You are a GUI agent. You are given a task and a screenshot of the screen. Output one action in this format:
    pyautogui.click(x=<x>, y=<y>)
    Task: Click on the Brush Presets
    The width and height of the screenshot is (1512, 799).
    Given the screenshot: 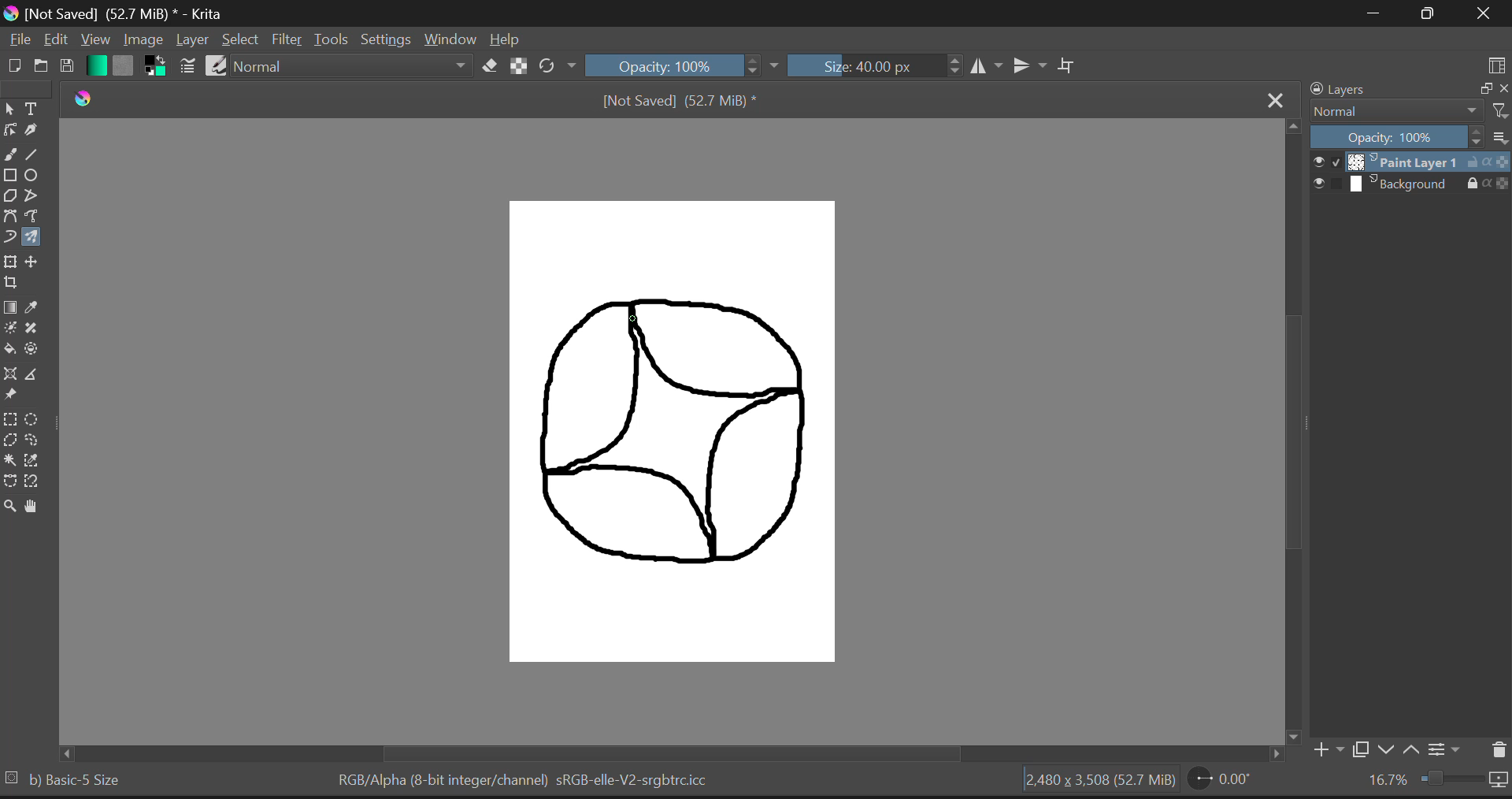 What is the action you would take?
    pyautogui.click(x=217, y=65)
    